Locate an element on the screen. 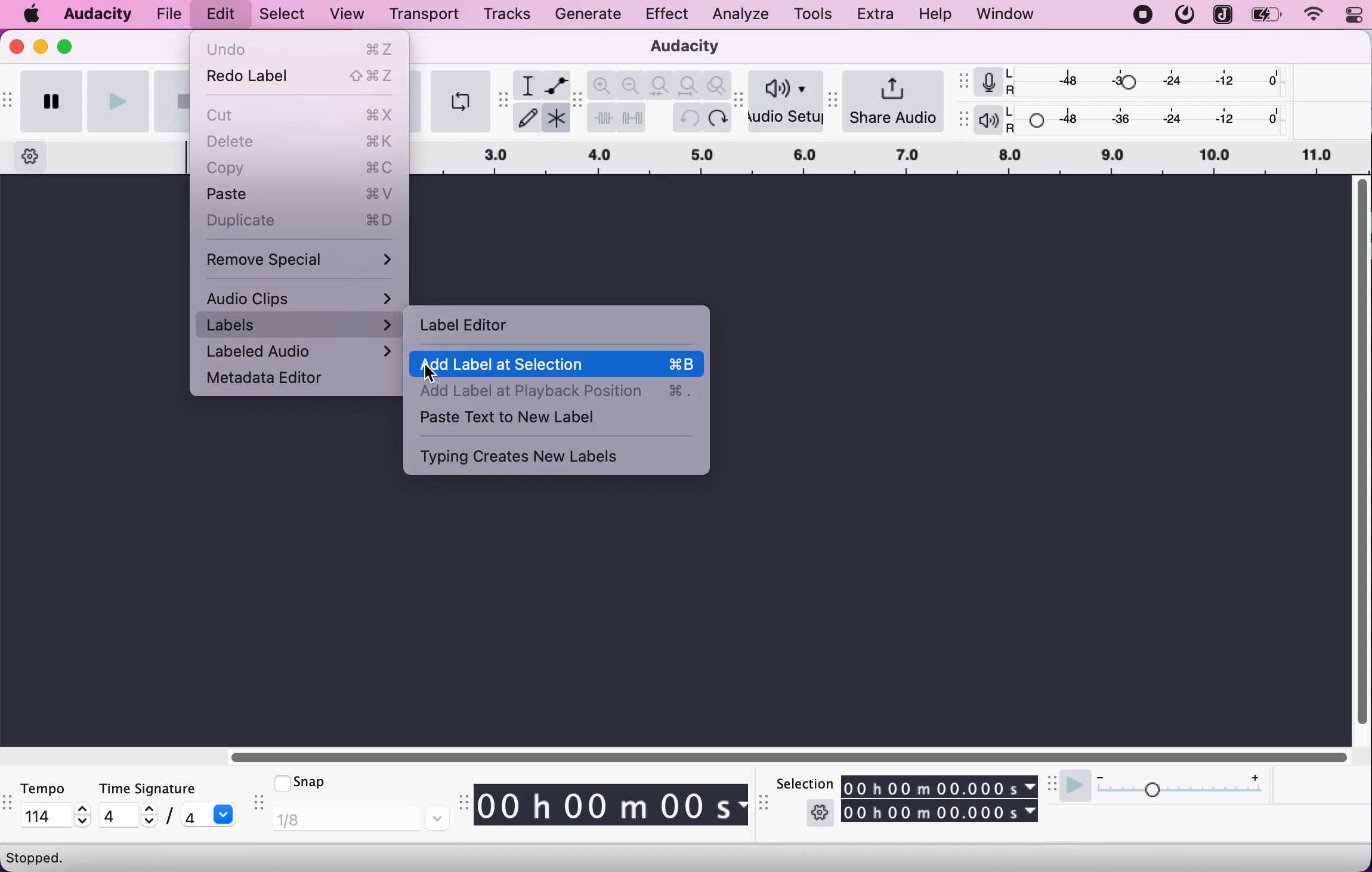  zoom toggle is located at coordinates (717, 86).